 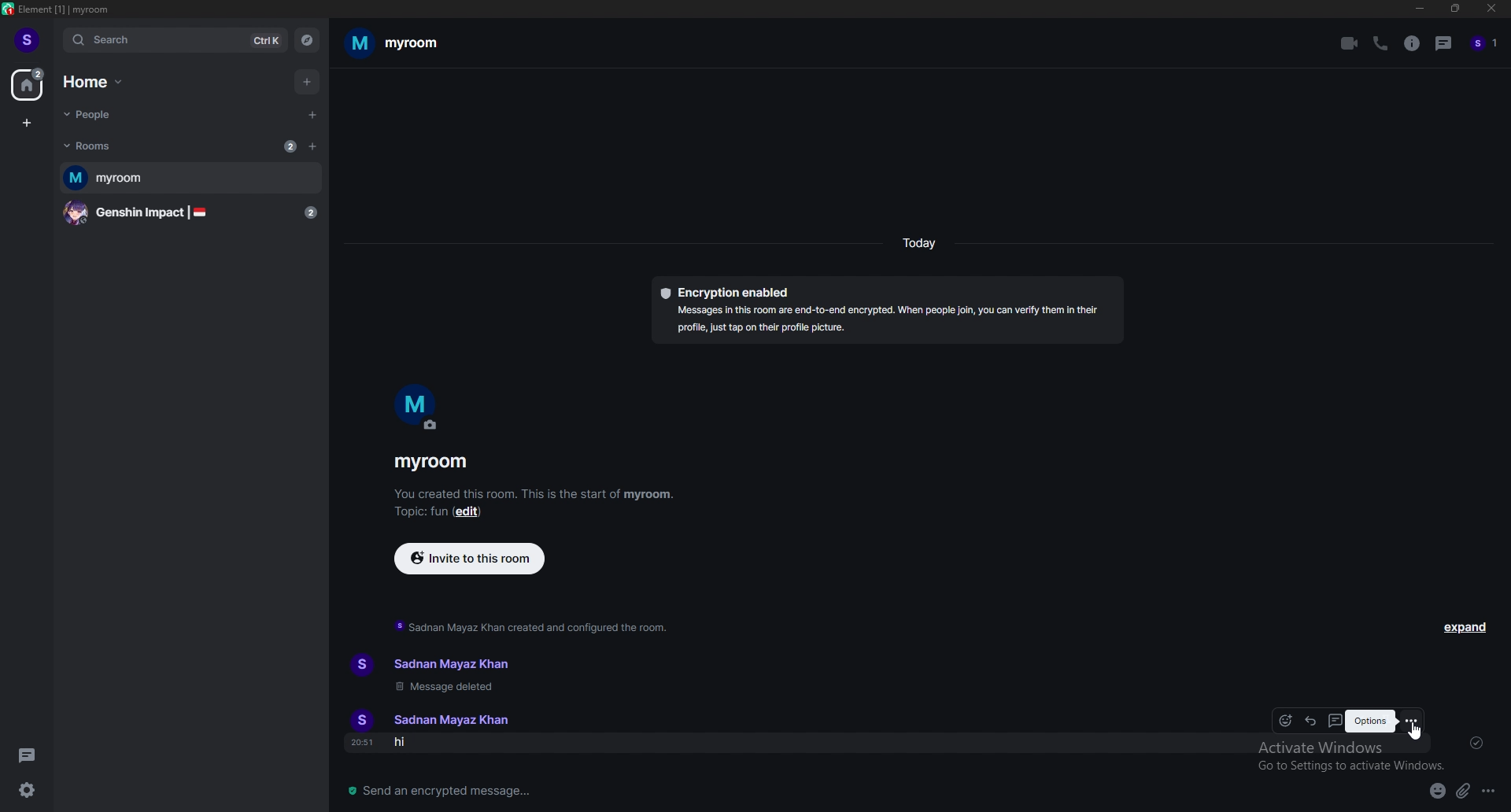 What do you see at coordinates (1287, 721) in the screenshot?
I see `react` at bounding box center [1287, 721].